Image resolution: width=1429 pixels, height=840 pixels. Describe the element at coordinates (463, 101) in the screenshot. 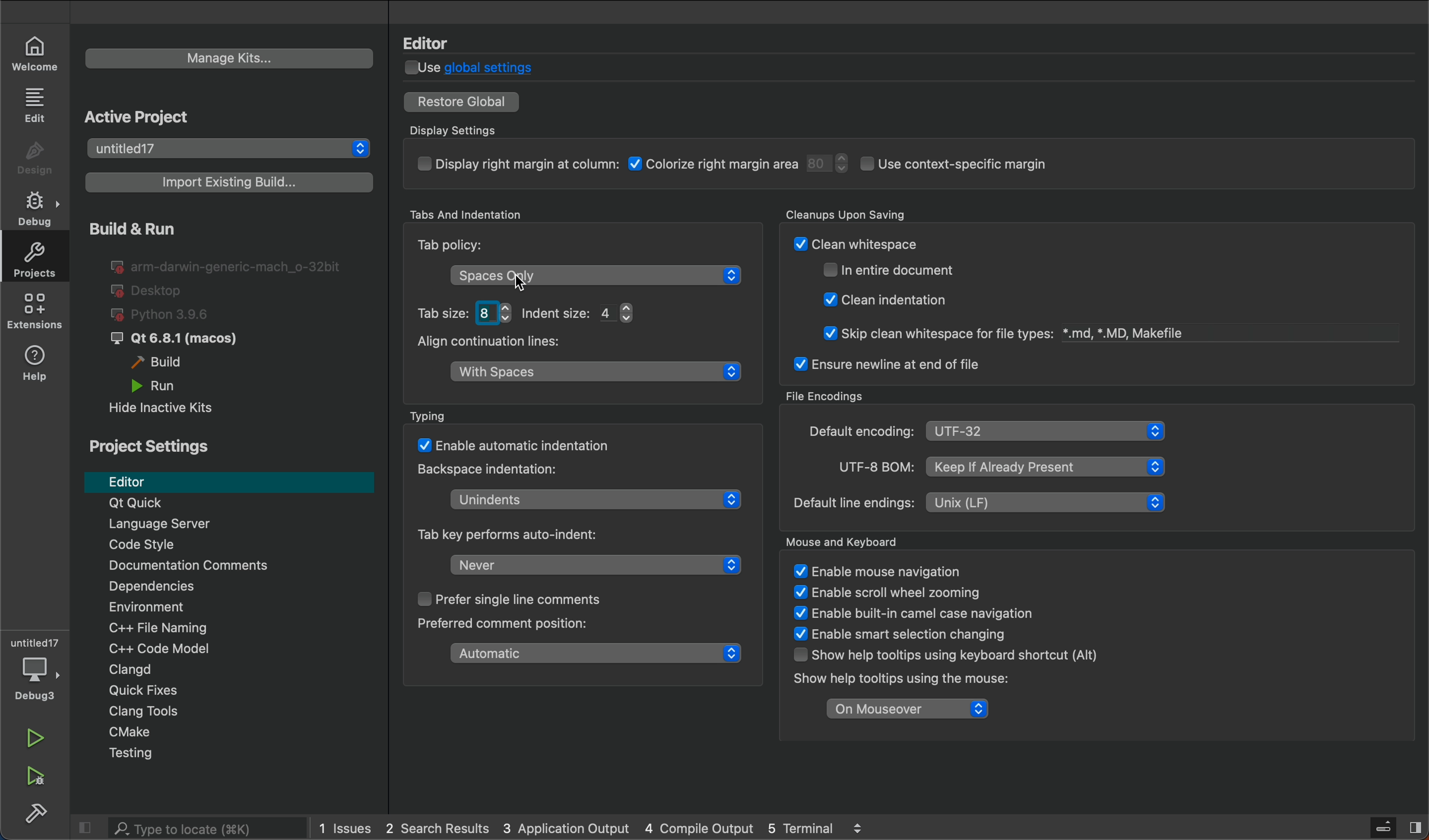

I see `restore global` at that location.